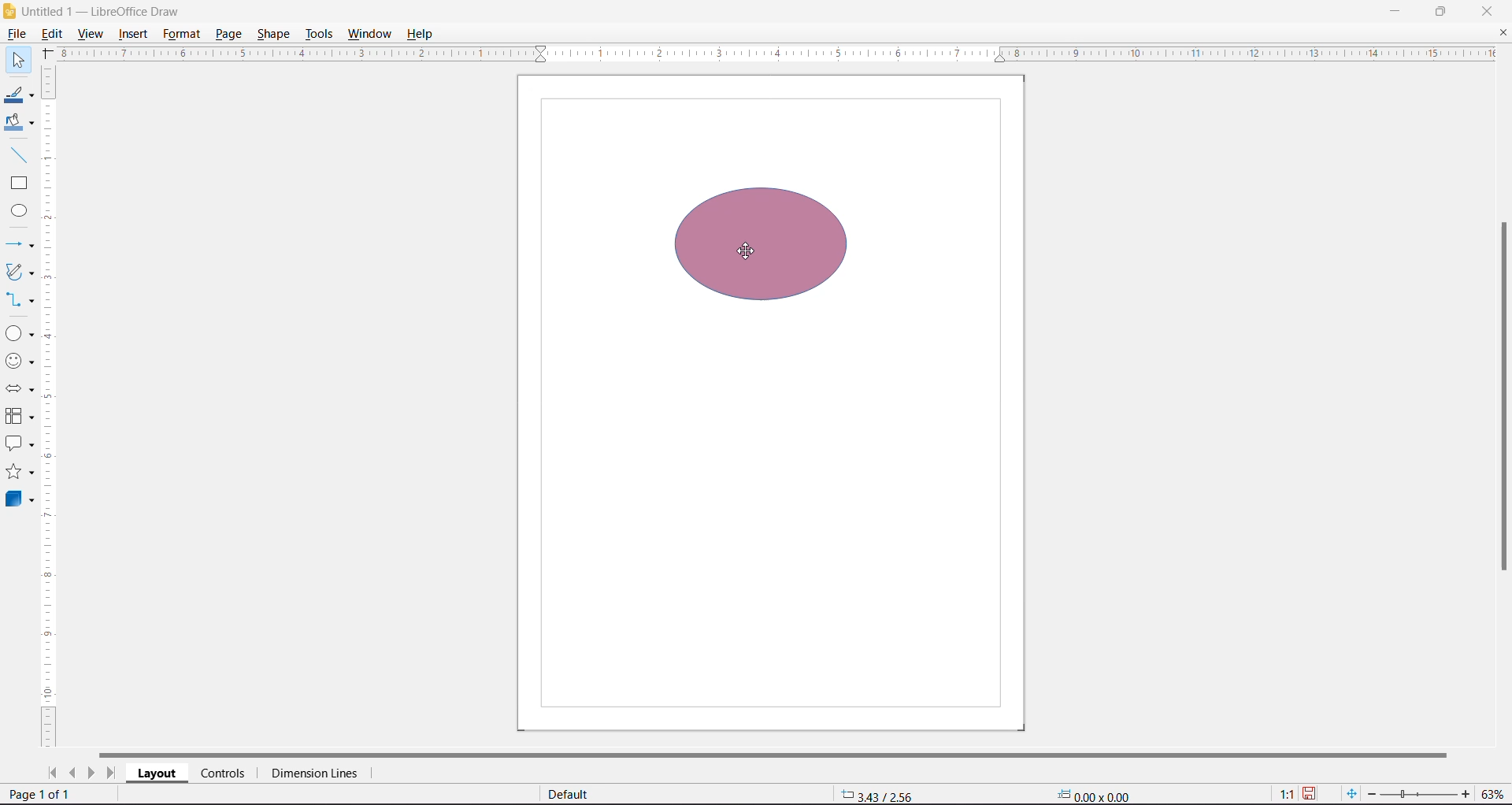 Image resolution: width=1512 pixels, height=805 pixels. What do you see at coordinates (371, 34) in the screenshot?
I see `Window` at bounding box center [371, 34].